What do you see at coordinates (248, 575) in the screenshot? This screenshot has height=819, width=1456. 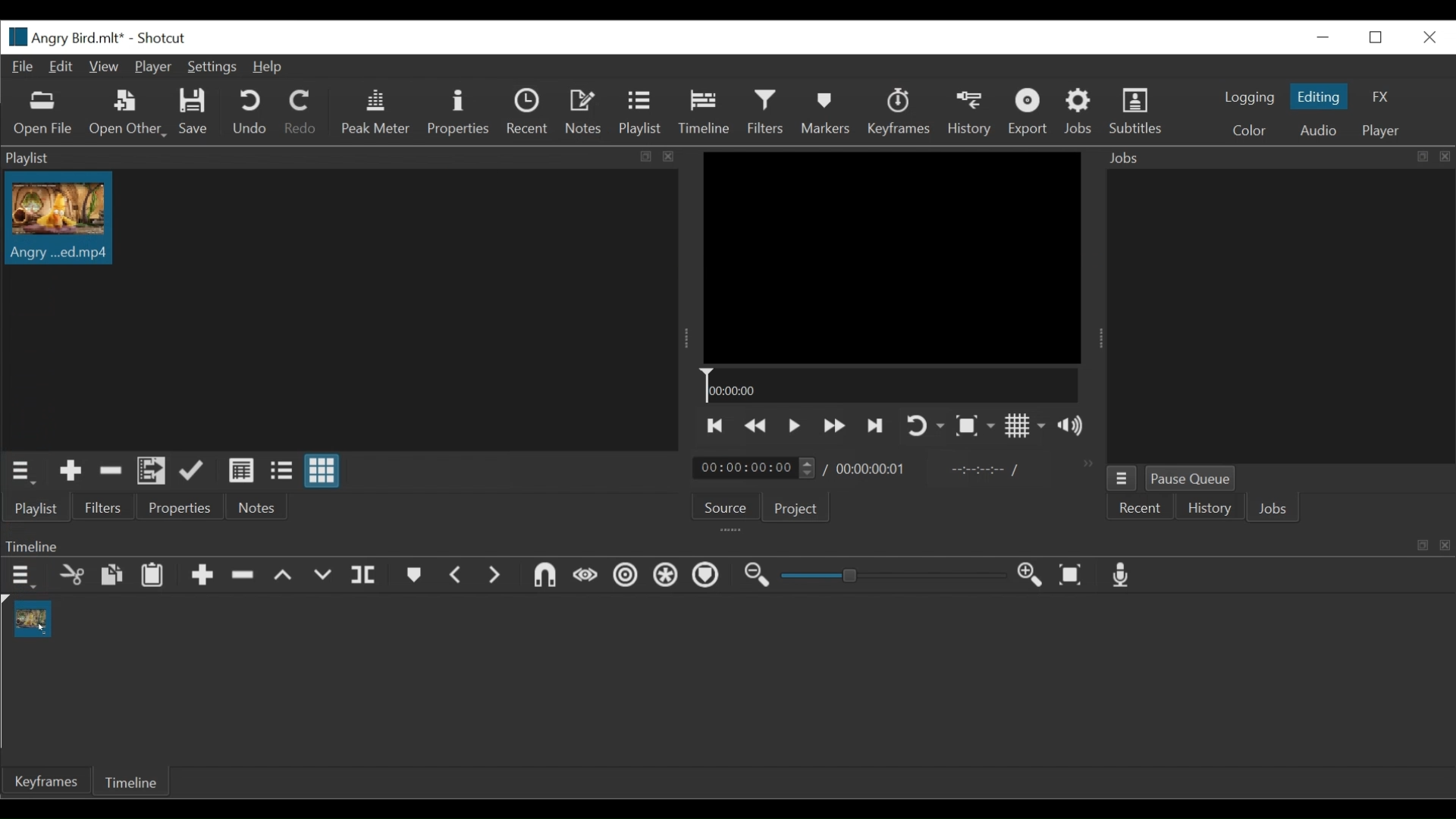 I see `remove clip` at bounding box center [248, 575].